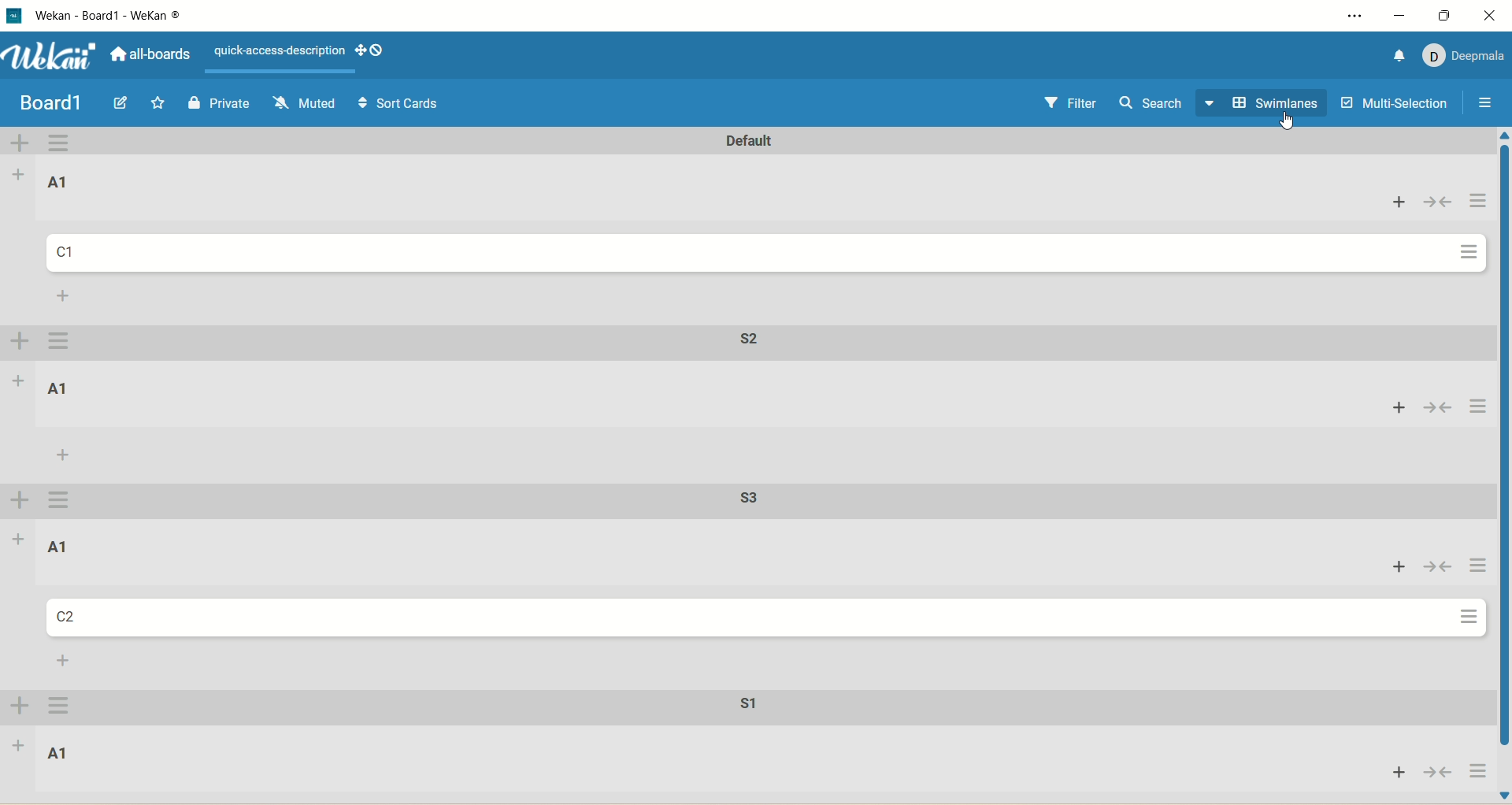 This screenshot has height=805, width=1512. What do you see at coordinates (120, 102) in the screenshot?
I see `edit` at bounding box center [120, 102].